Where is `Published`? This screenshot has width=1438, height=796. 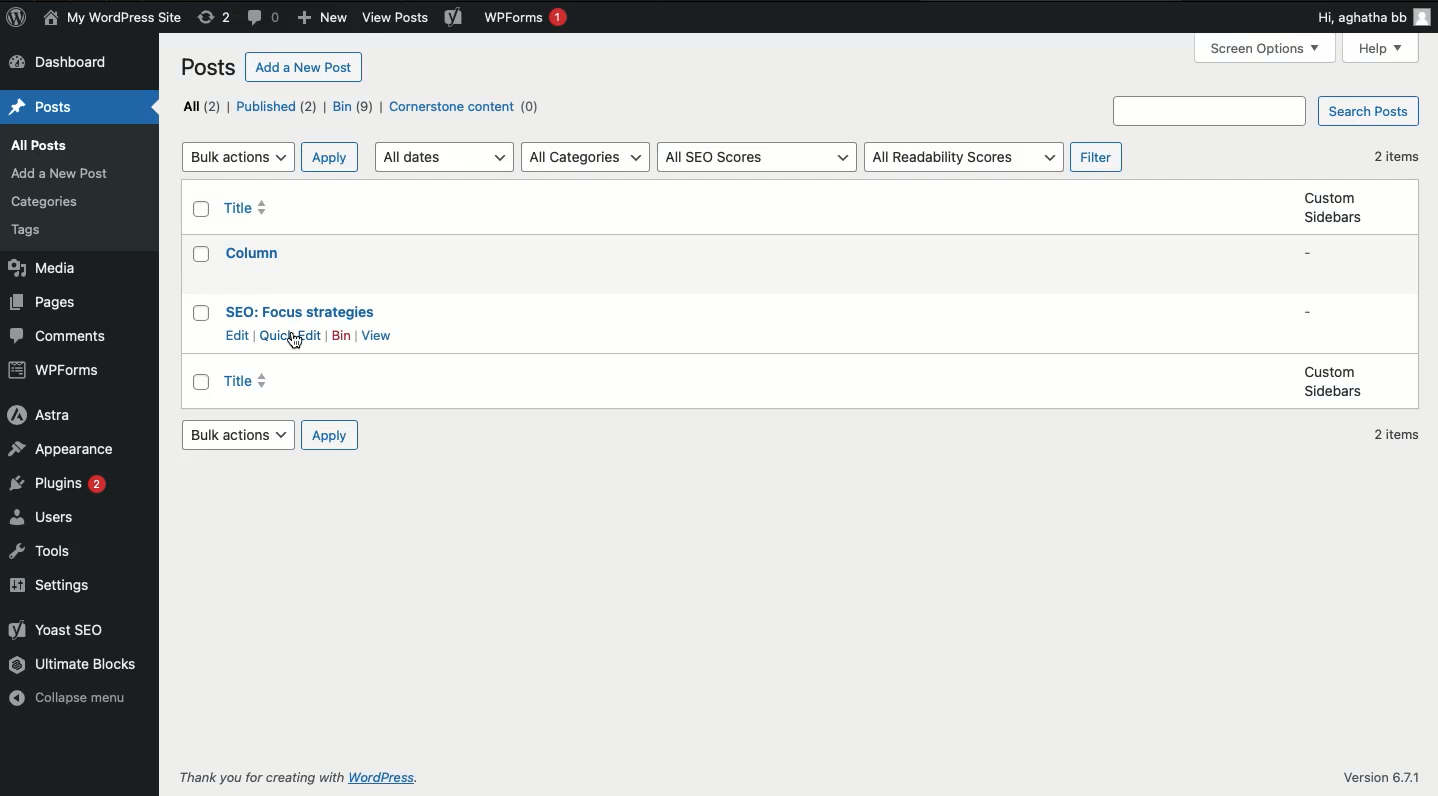 Published is located at coordinates (276, 106).